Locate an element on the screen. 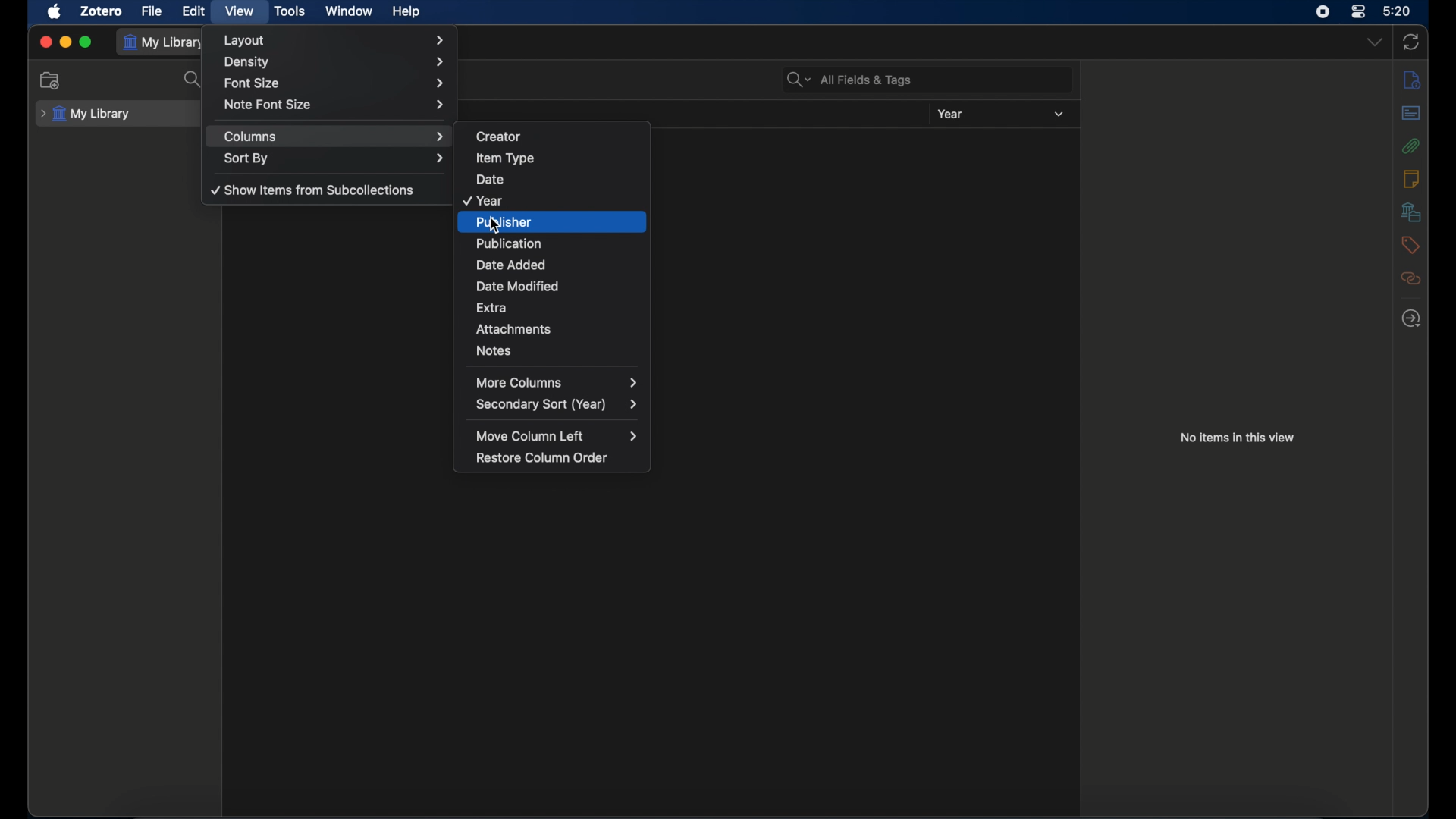  date modified is located at coordinates (560, 286).